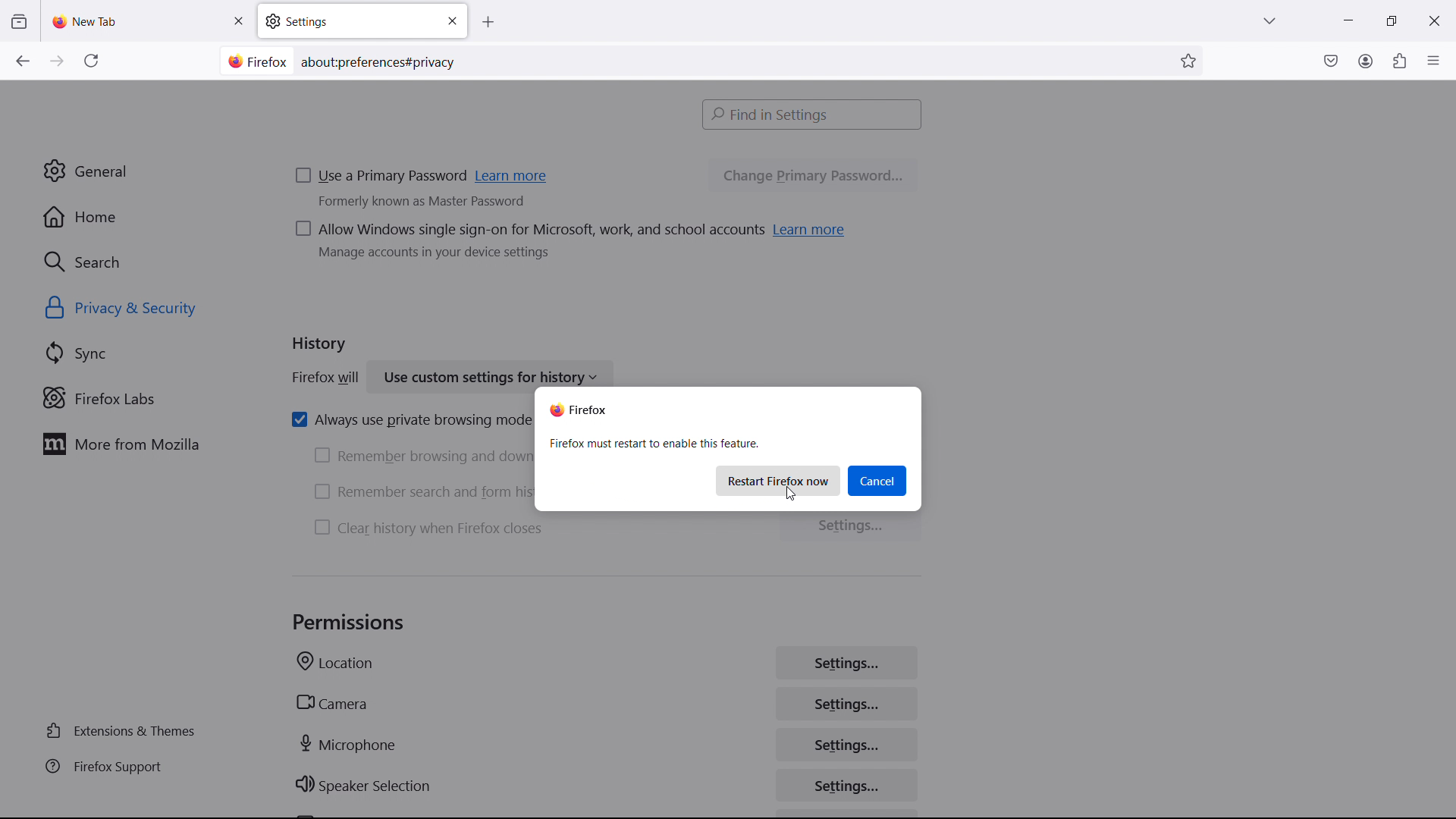  I want to click on speaker selection, so click(364, 786).